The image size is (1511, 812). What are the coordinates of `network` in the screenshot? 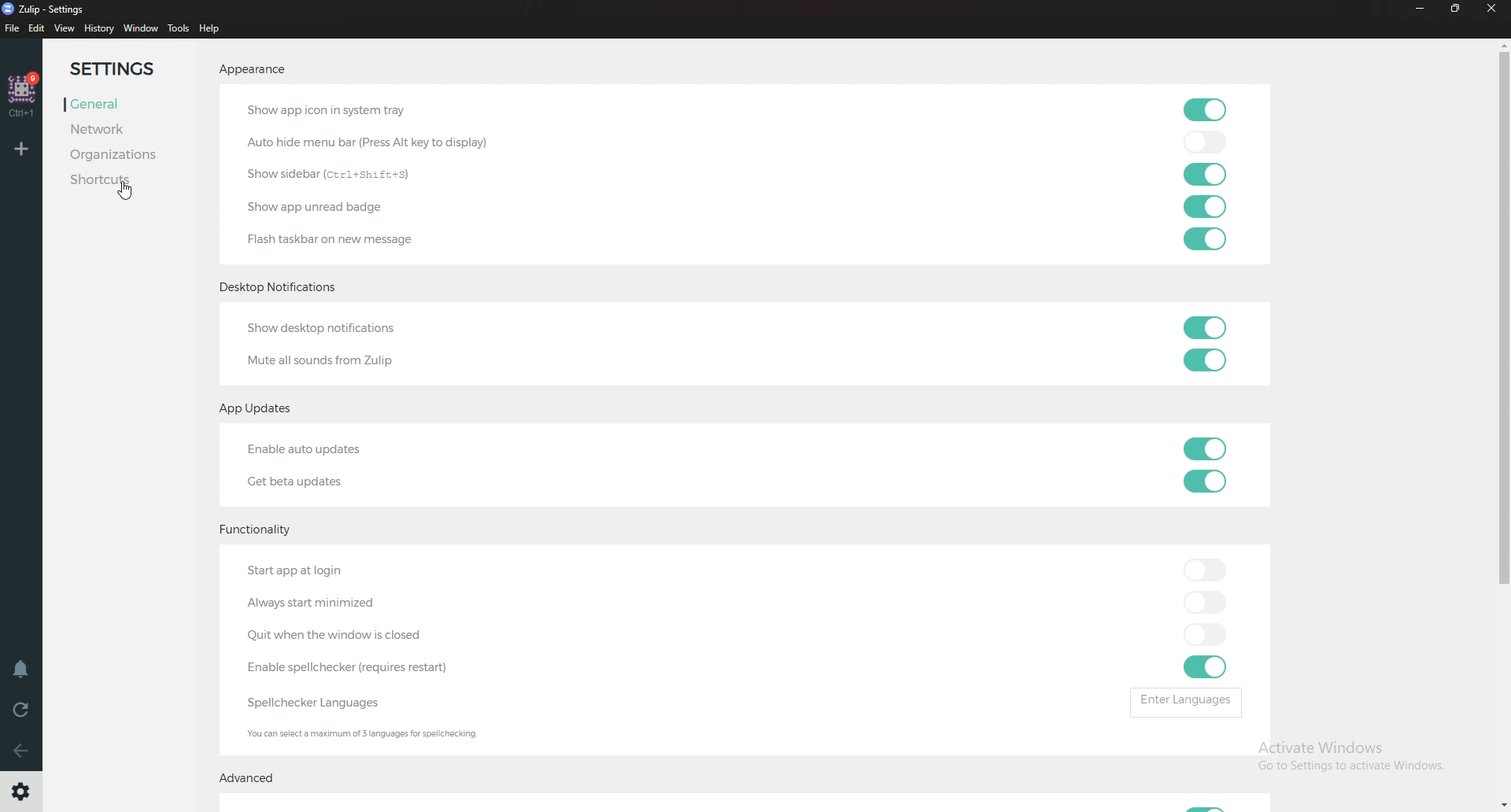 It's located at (121, 128).